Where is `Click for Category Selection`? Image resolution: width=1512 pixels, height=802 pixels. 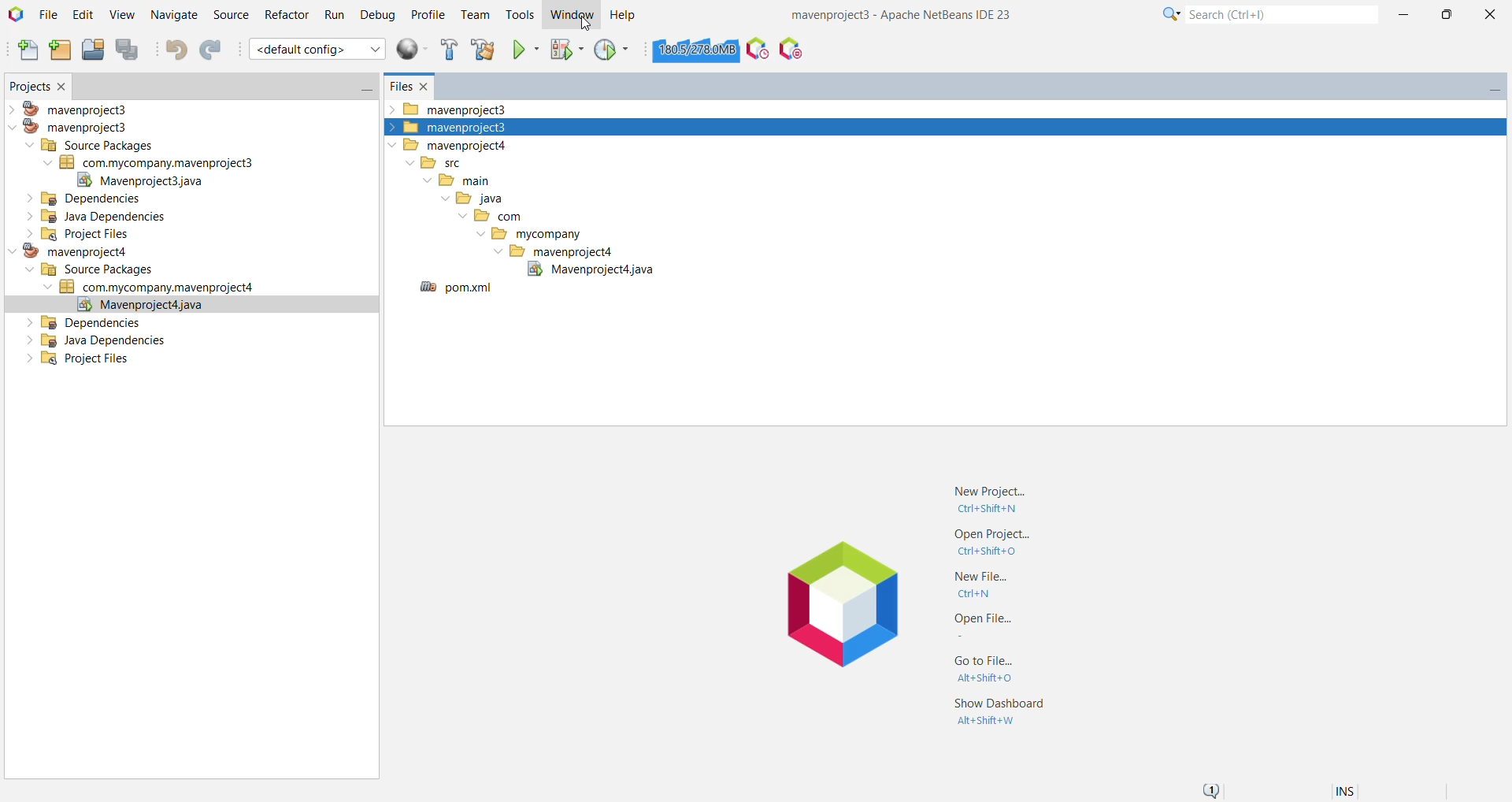 Click for Category Selection is located at coordinates (1167, 17).